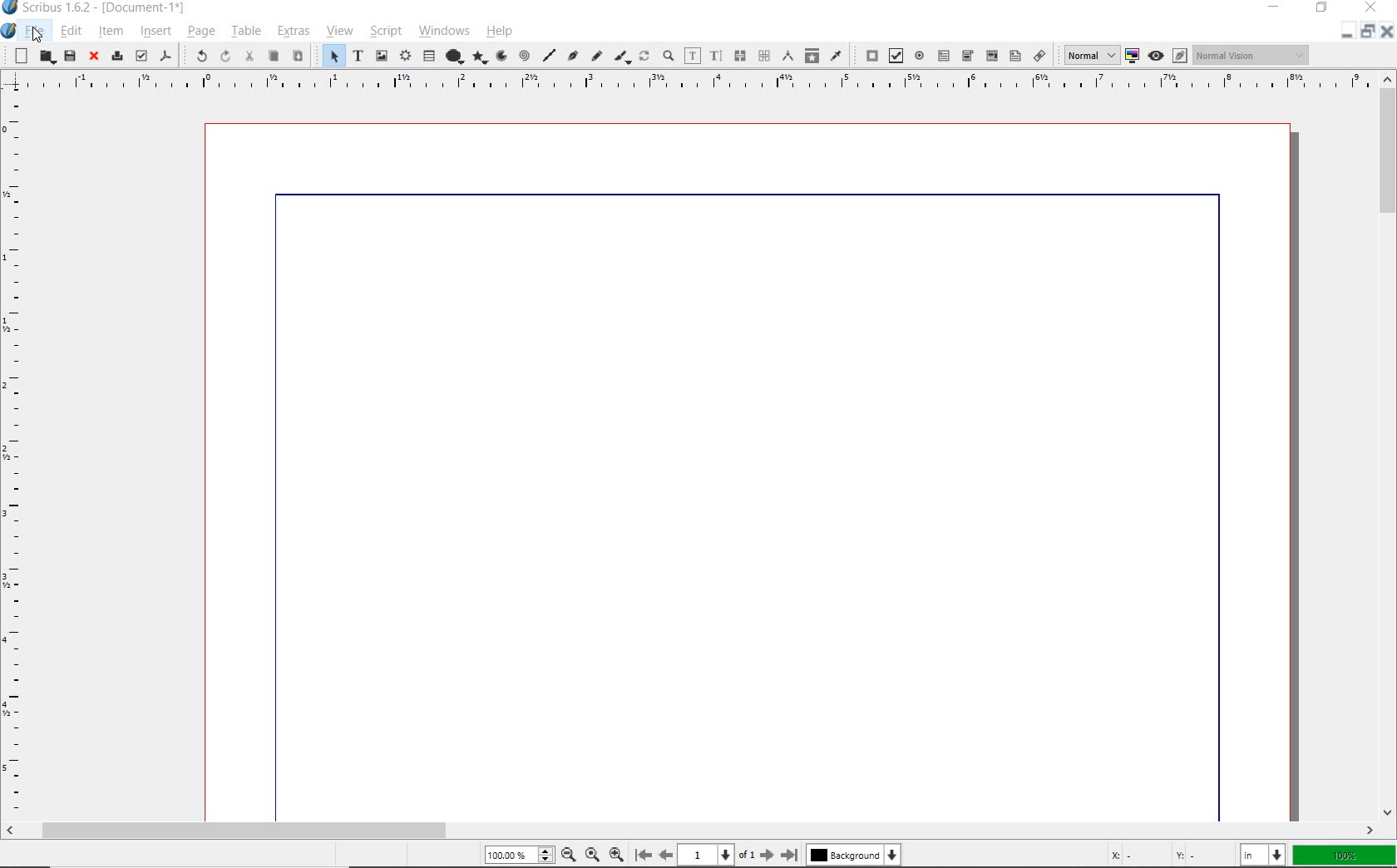 This screenshot has height=868, width=1397. Describe the element at coordinates (46, 56) in the screenshot. I see `open` at that location.